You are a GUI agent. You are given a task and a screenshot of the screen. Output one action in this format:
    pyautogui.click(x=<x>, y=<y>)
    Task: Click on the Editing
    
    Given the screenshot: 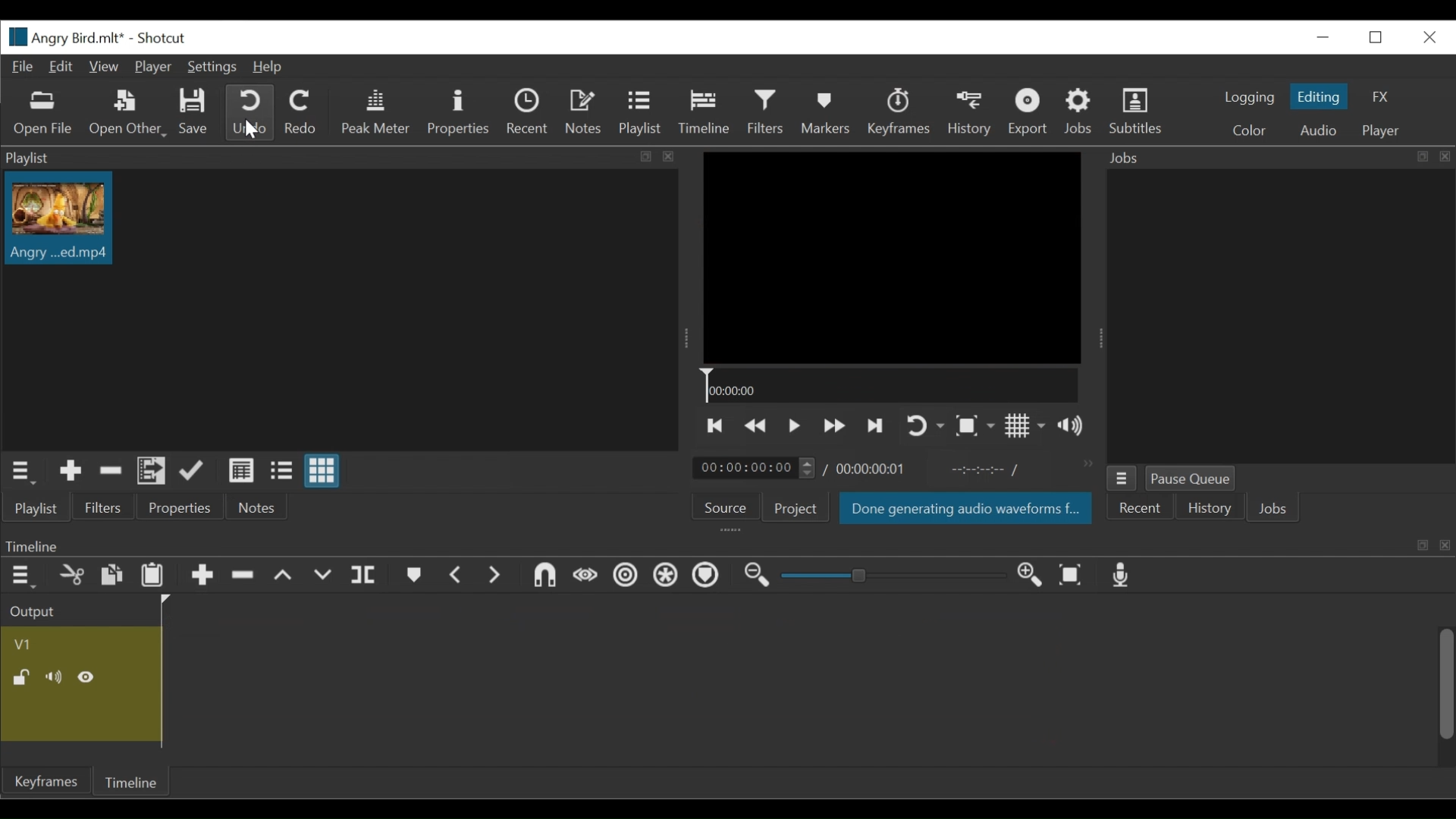 What is the action you would take?
    pyautogui.click(x=1320, y=97)
    